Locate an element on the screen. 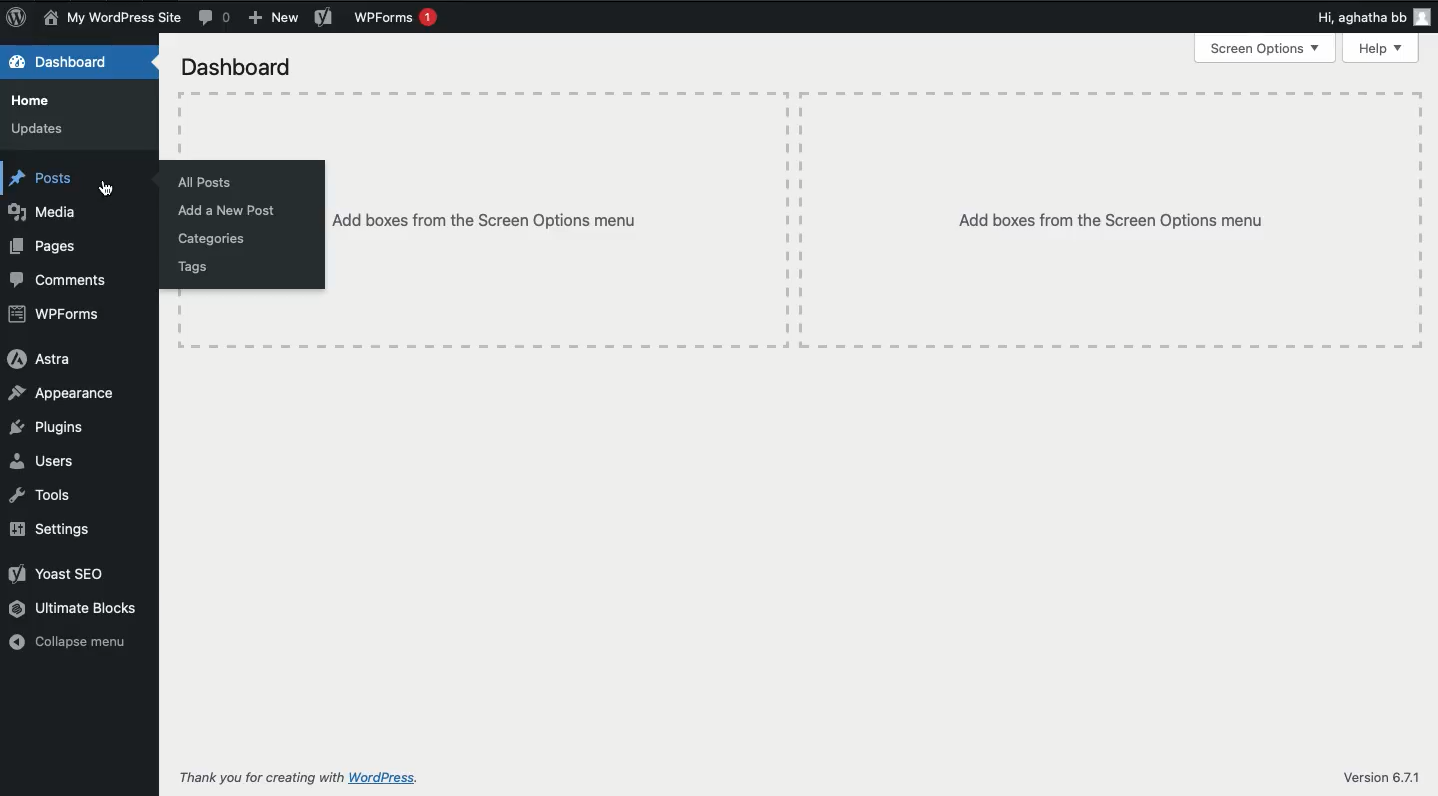  Ultimate blocks is located at coordinates (79, 610).